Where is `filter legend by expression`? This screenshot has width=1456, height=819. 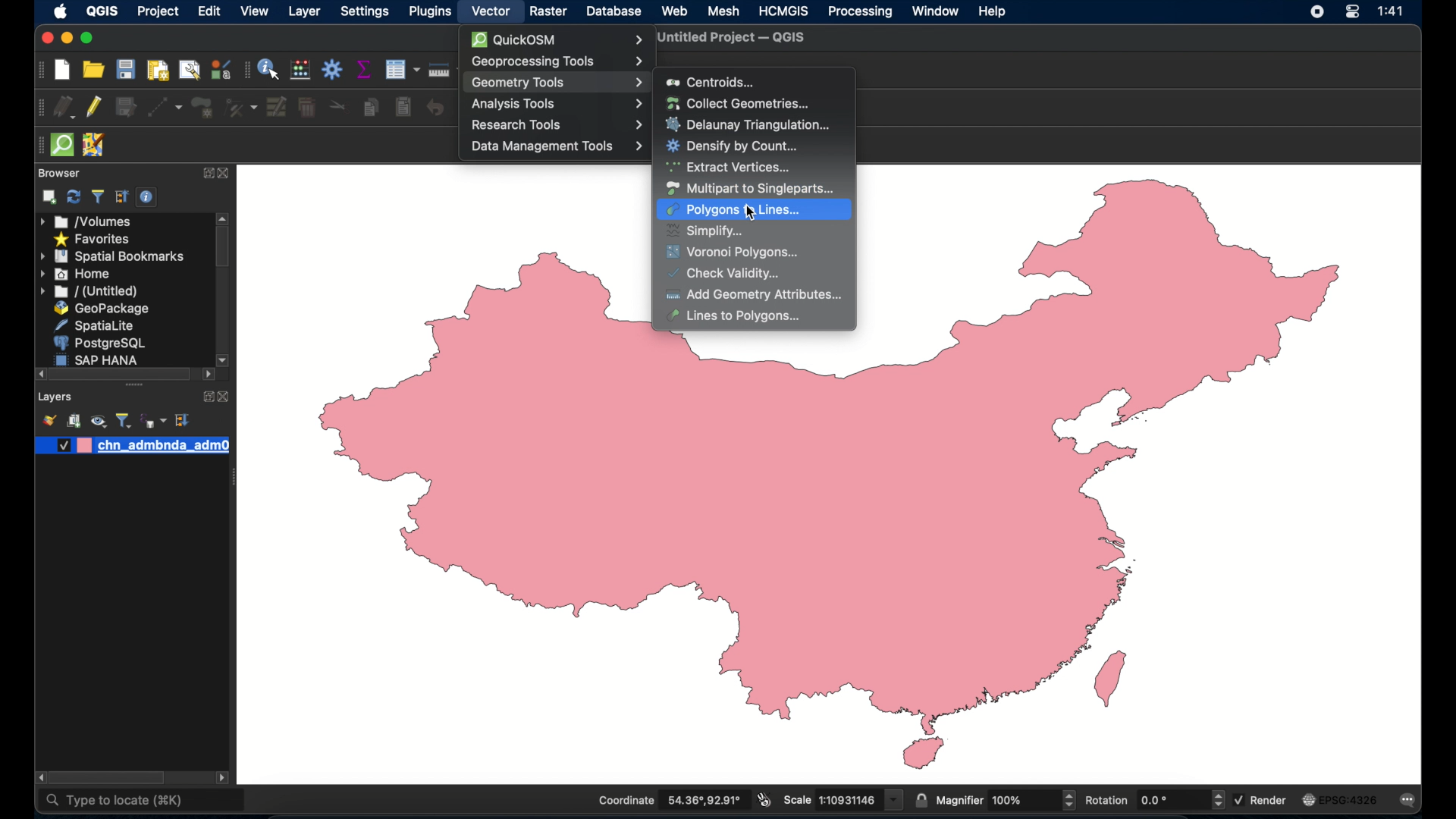
filter legend by expression is located at coordinates (152, 421).